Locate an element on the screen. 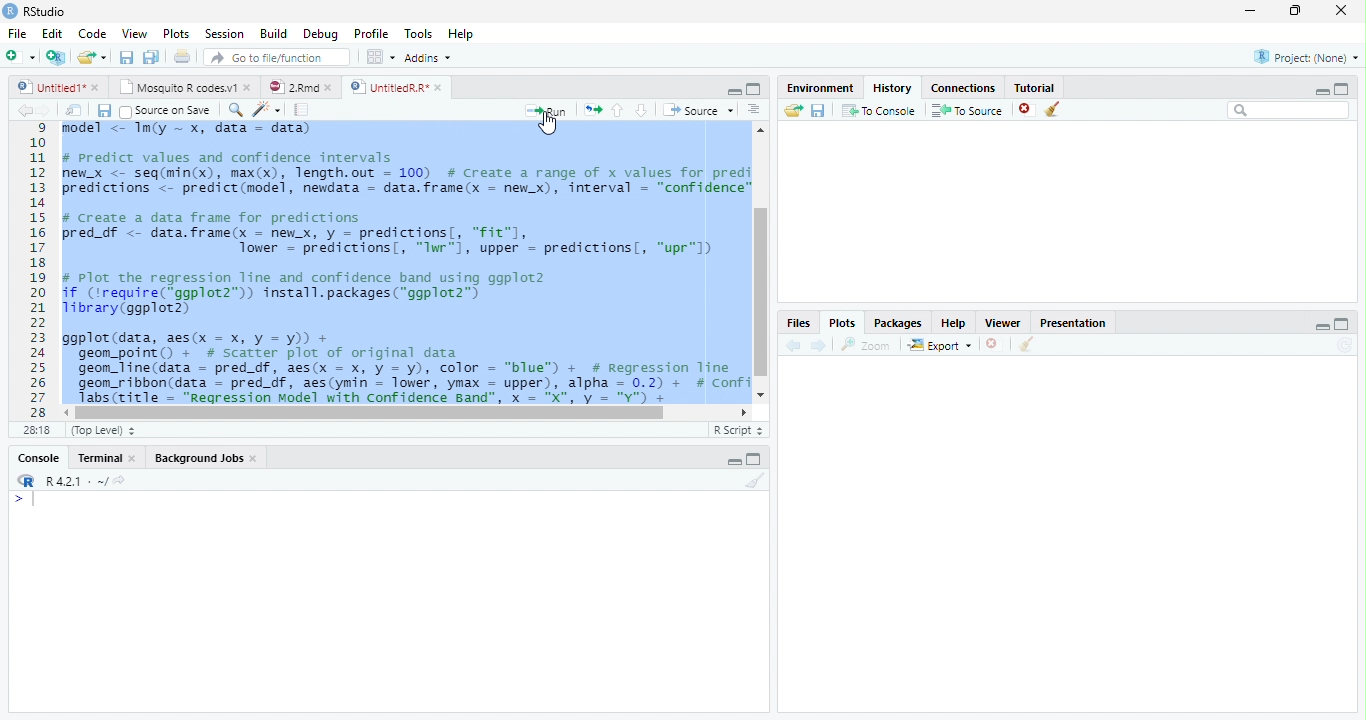  Cursor is located at coordinates (388, 101).